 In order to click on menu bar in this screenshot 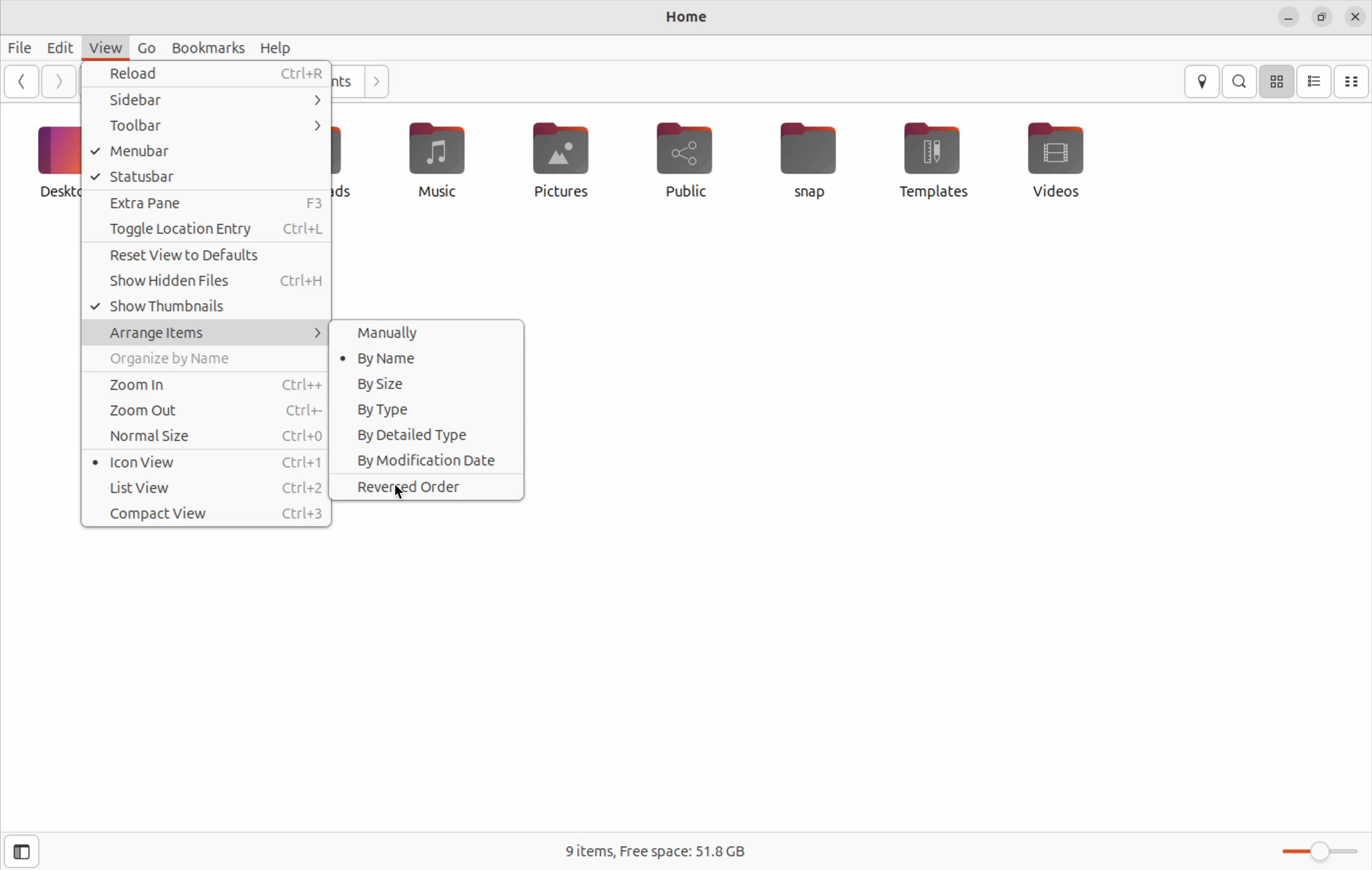, I will do `click(209, 152)`.